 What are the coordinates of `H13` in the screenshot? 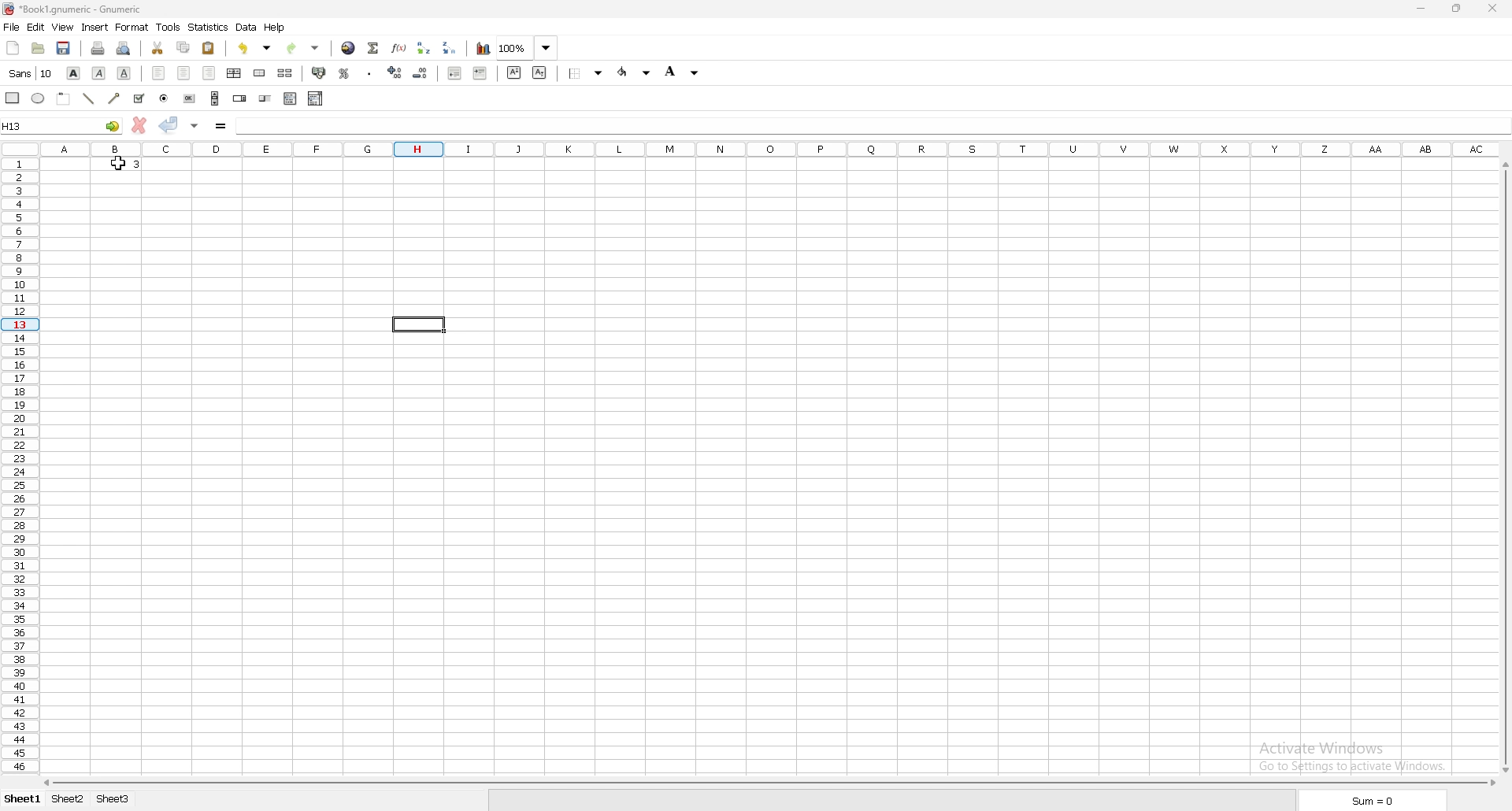 It's located at (61, 124).